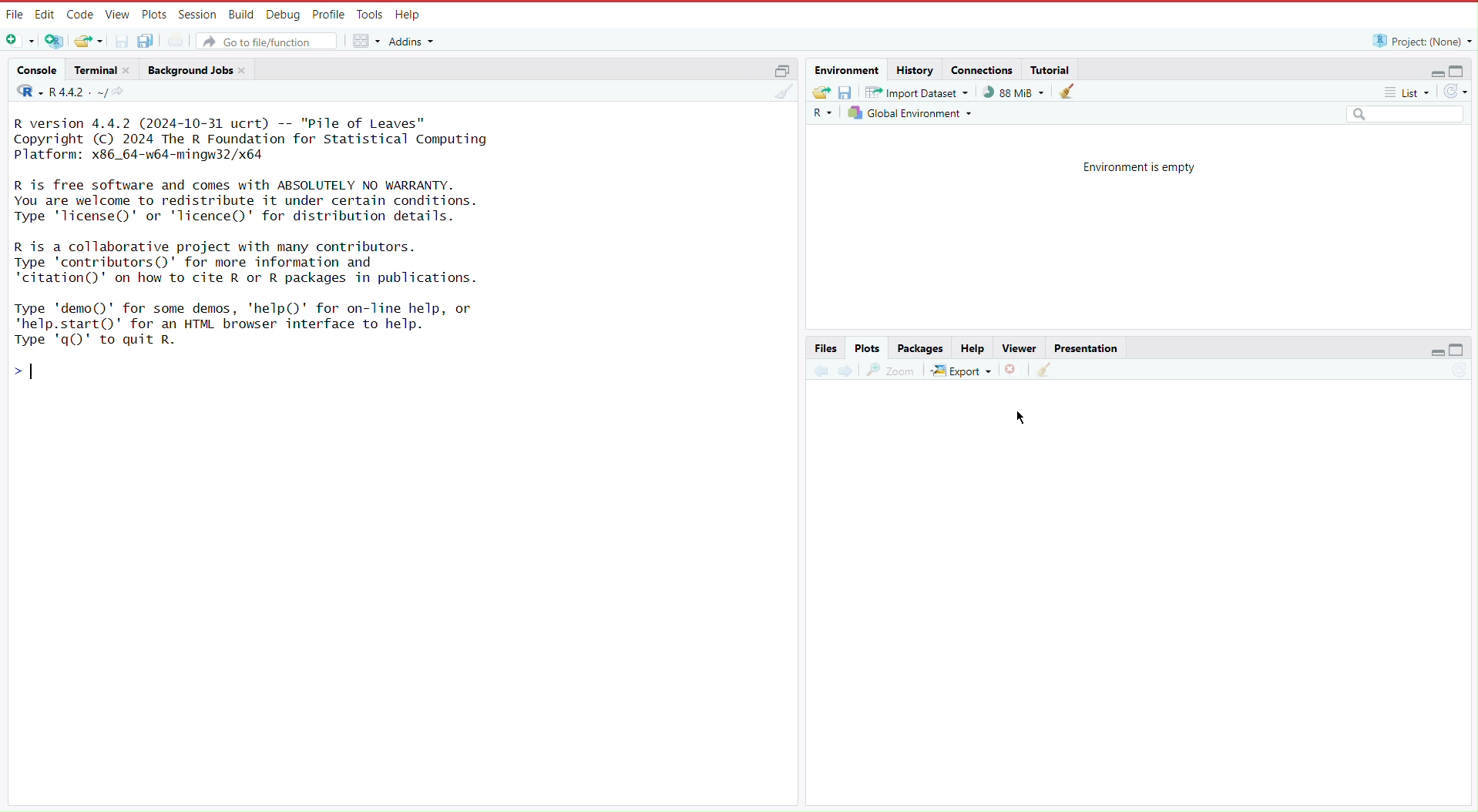 Image resolution: width=1478 pixels, height=812 pixels. Describe the element at coordinates (919, 92) in the screenshot. I see `Import Dataset` at that location.